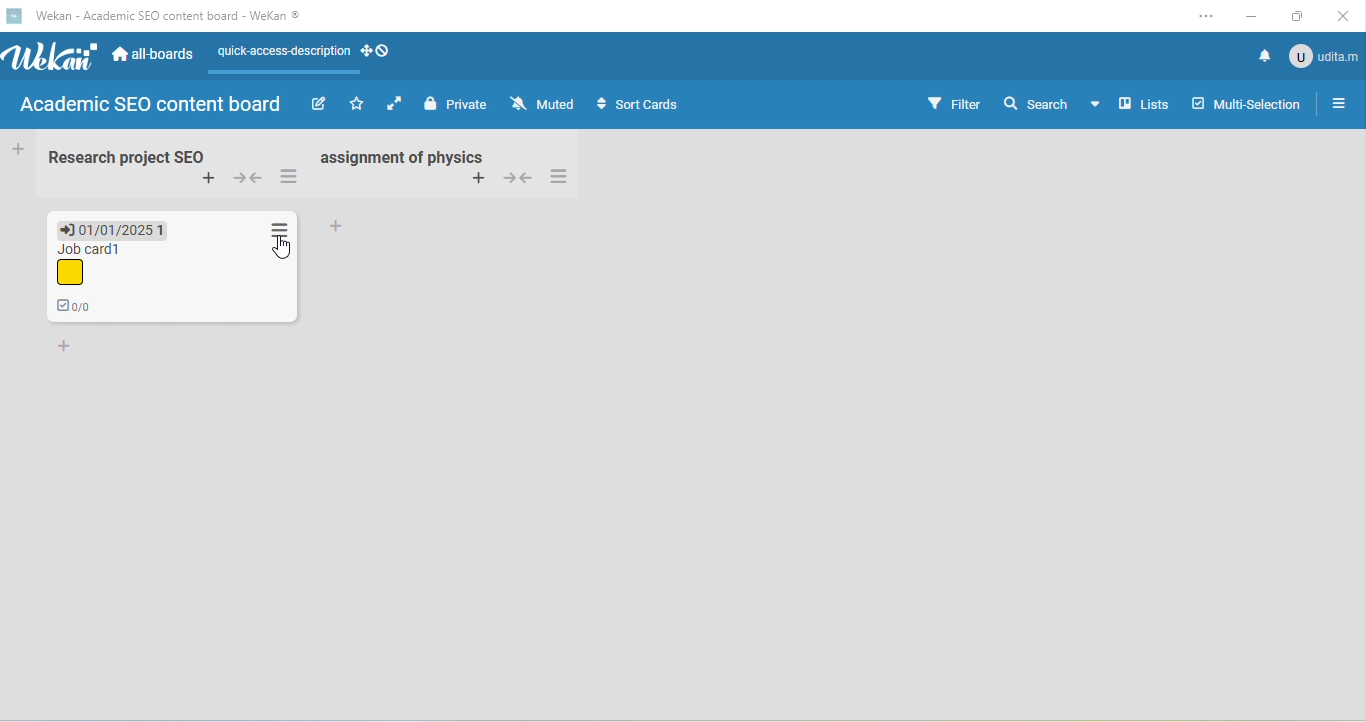 The height and width of the screenshot is (722, 1366). I want to click on private, so click(458, 105).